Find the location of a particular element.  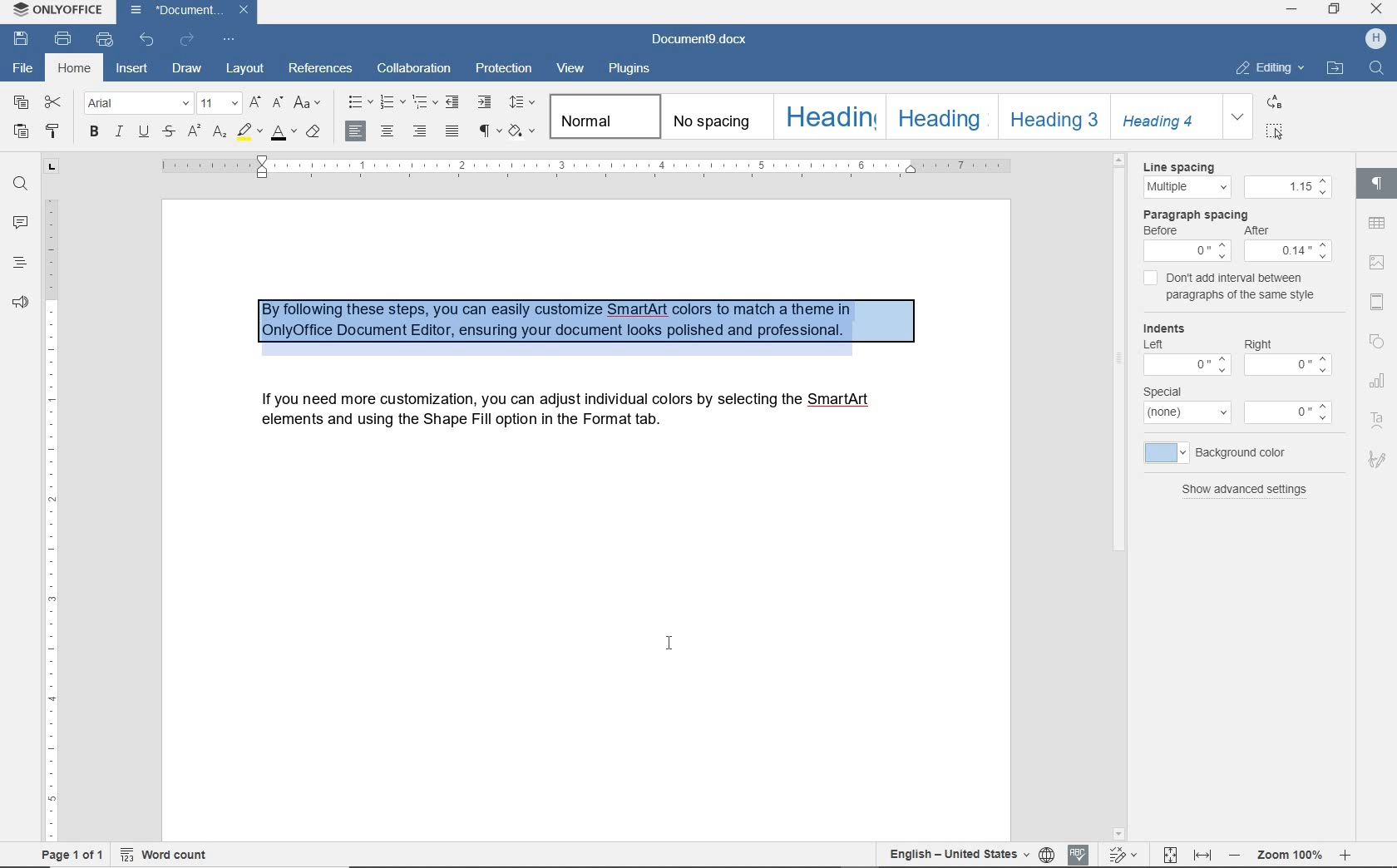

after is located at coordinates (1263, 232).